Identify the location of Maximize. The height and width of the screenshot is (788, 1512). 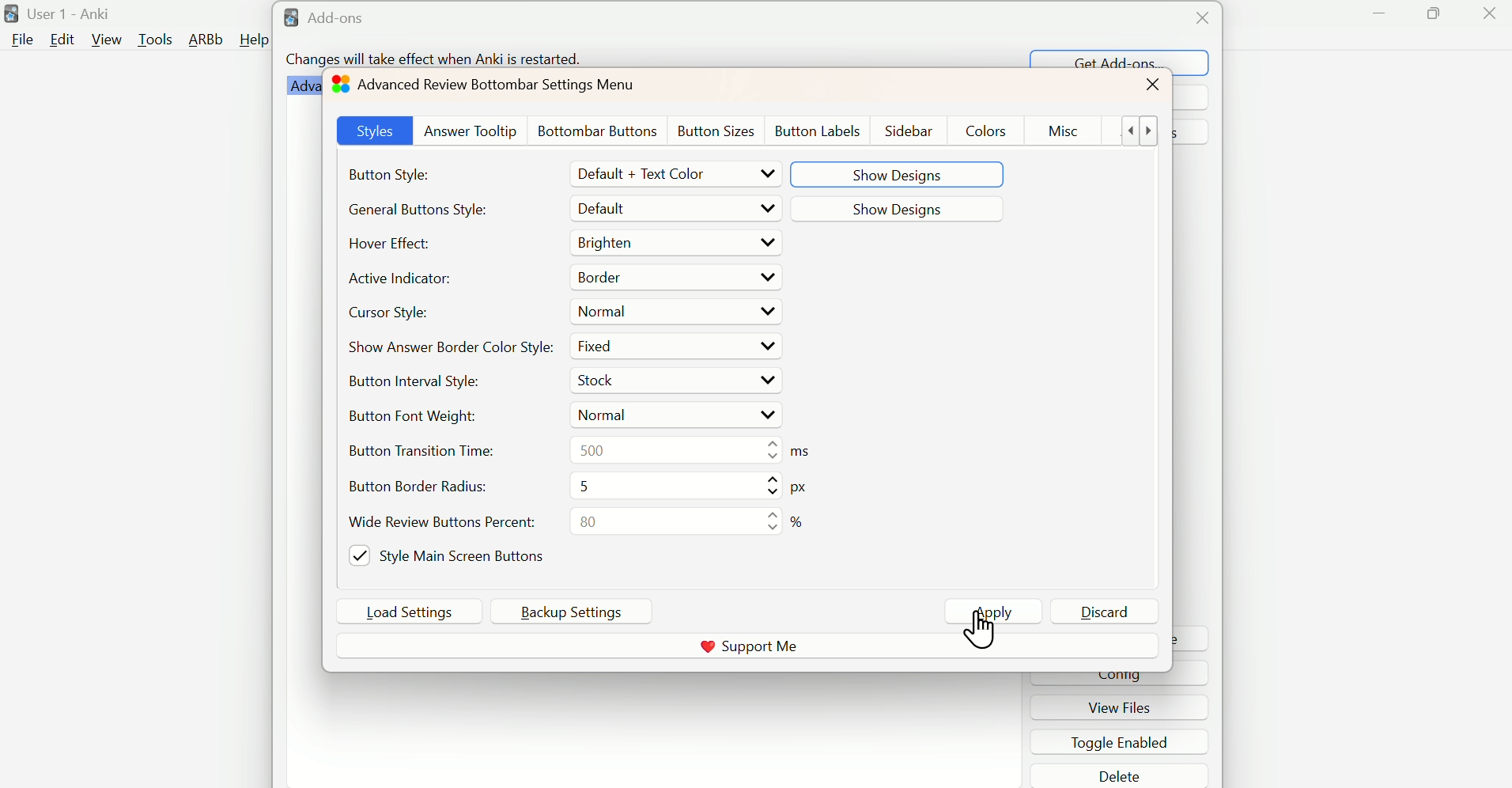
(1438, 13).